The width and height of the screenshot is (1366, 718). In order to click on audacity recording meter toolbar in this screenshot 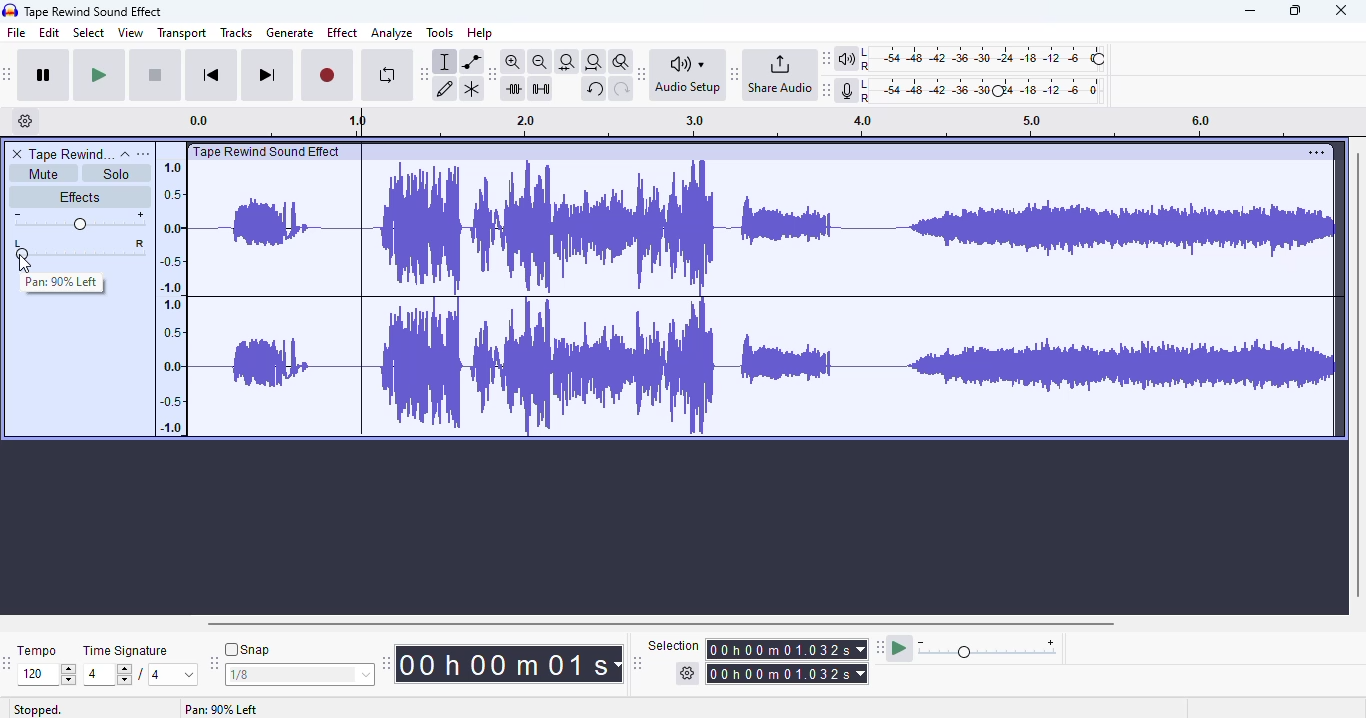, I will do `click(827, 90)`.